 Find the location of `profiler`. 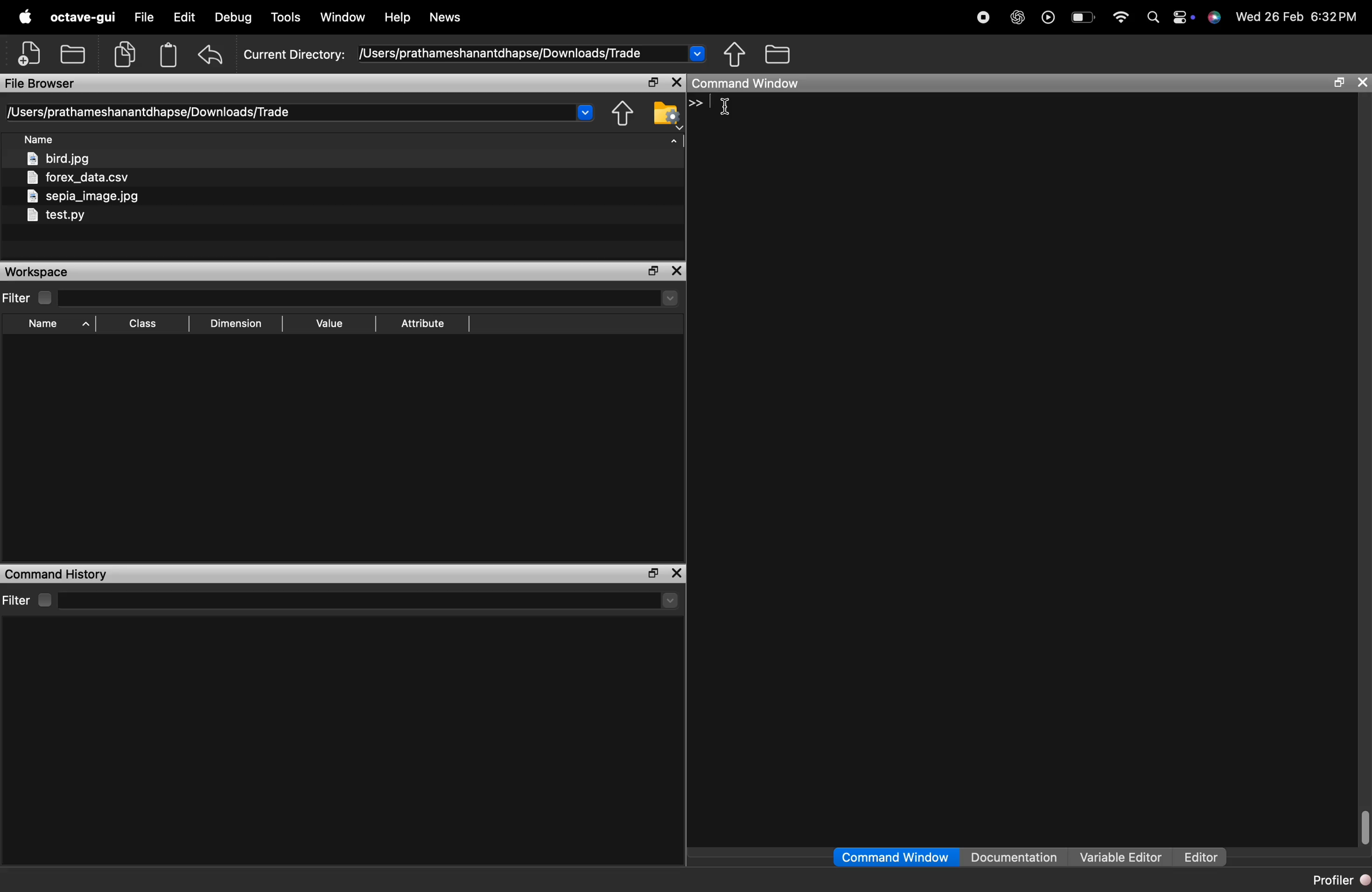

profiler is located at coordinates (1337, 880).